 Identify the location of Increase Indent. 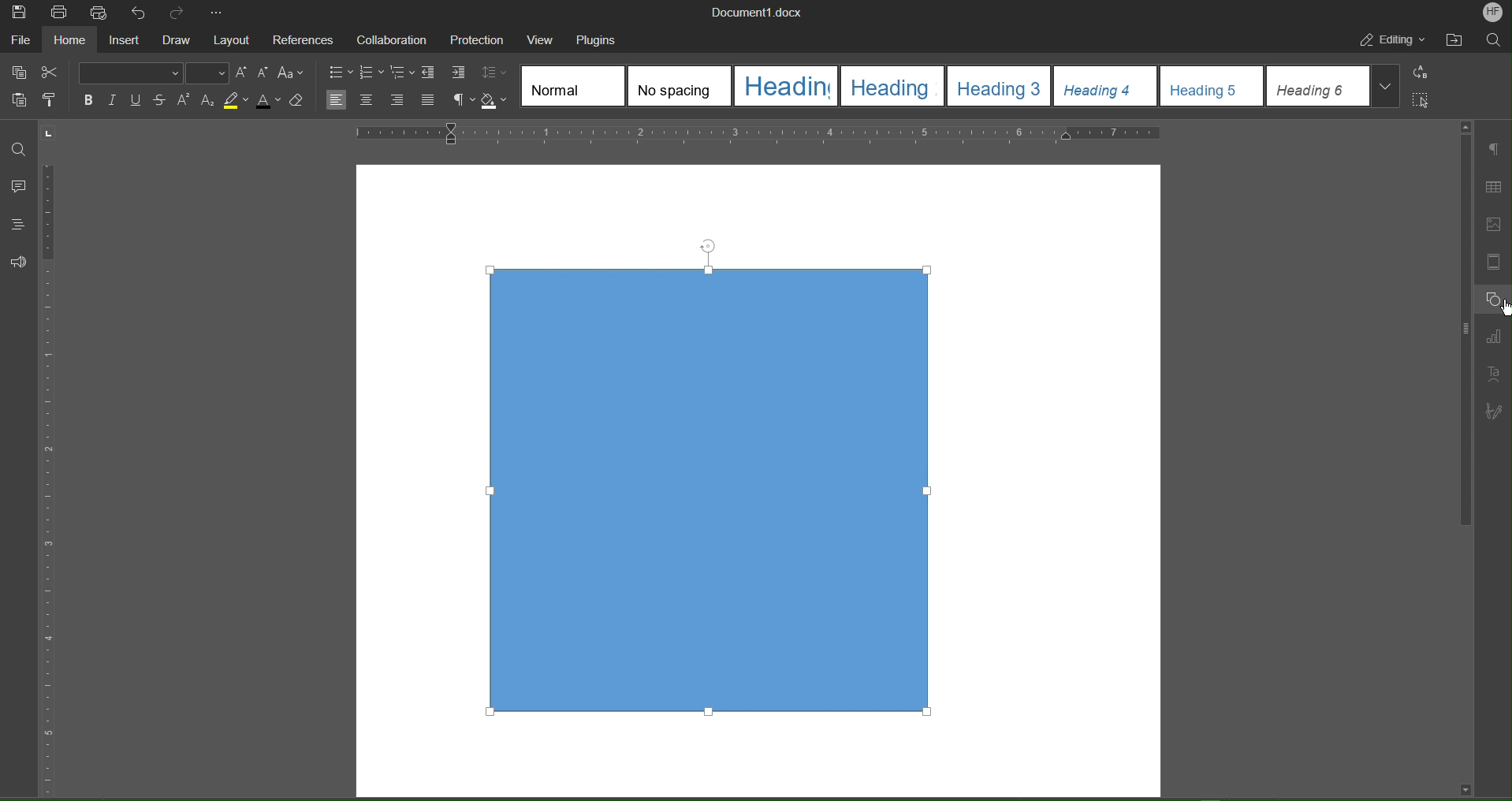
(460, 74).